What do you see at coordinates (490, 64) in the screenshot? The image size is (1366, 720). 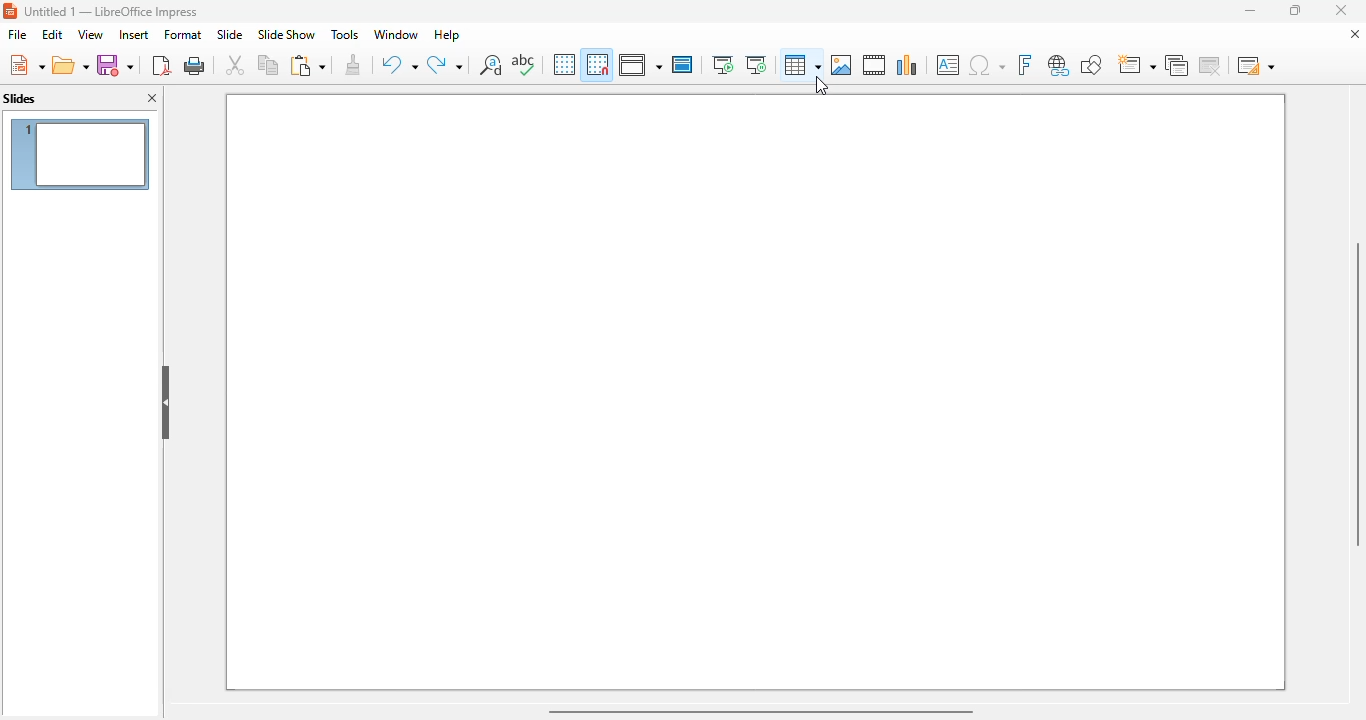 I see `find and replace` at bounding box center [490, 64].